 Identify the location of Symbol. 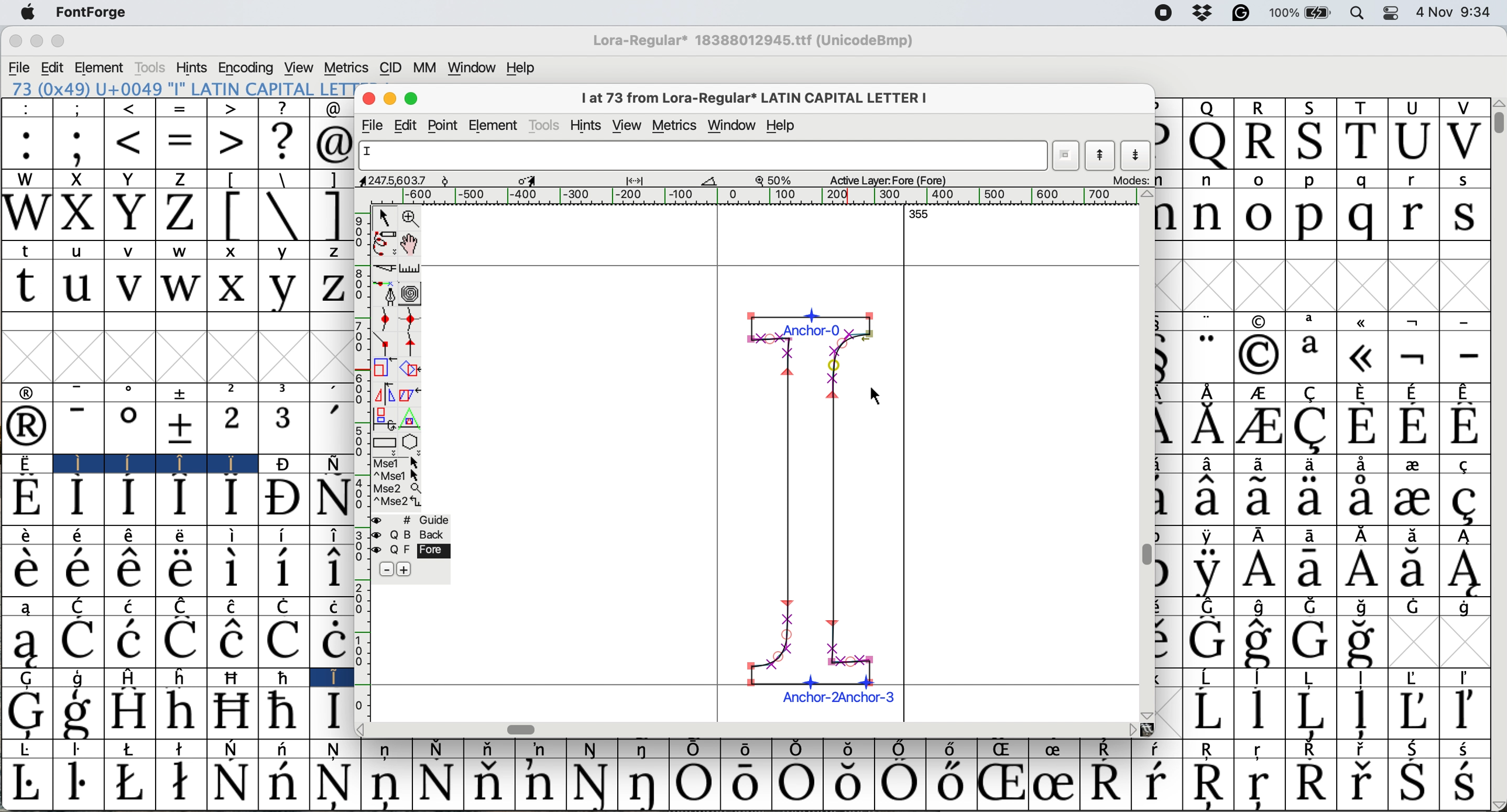
(27, 428).